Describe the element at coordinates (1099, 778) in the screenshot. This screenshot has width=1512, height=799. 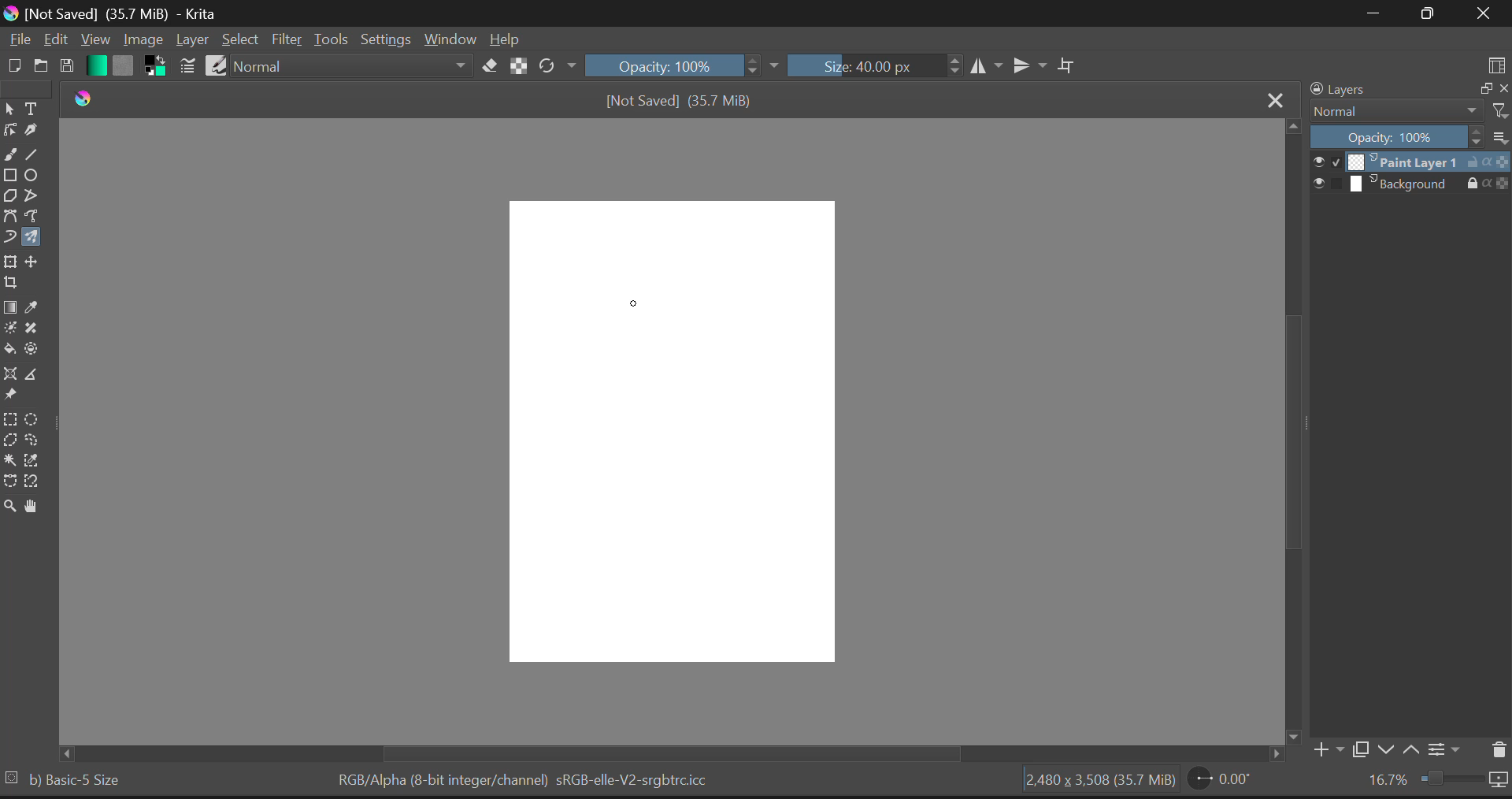
I see `2,480 x 3,508 (35.7 MiB)` at that location.